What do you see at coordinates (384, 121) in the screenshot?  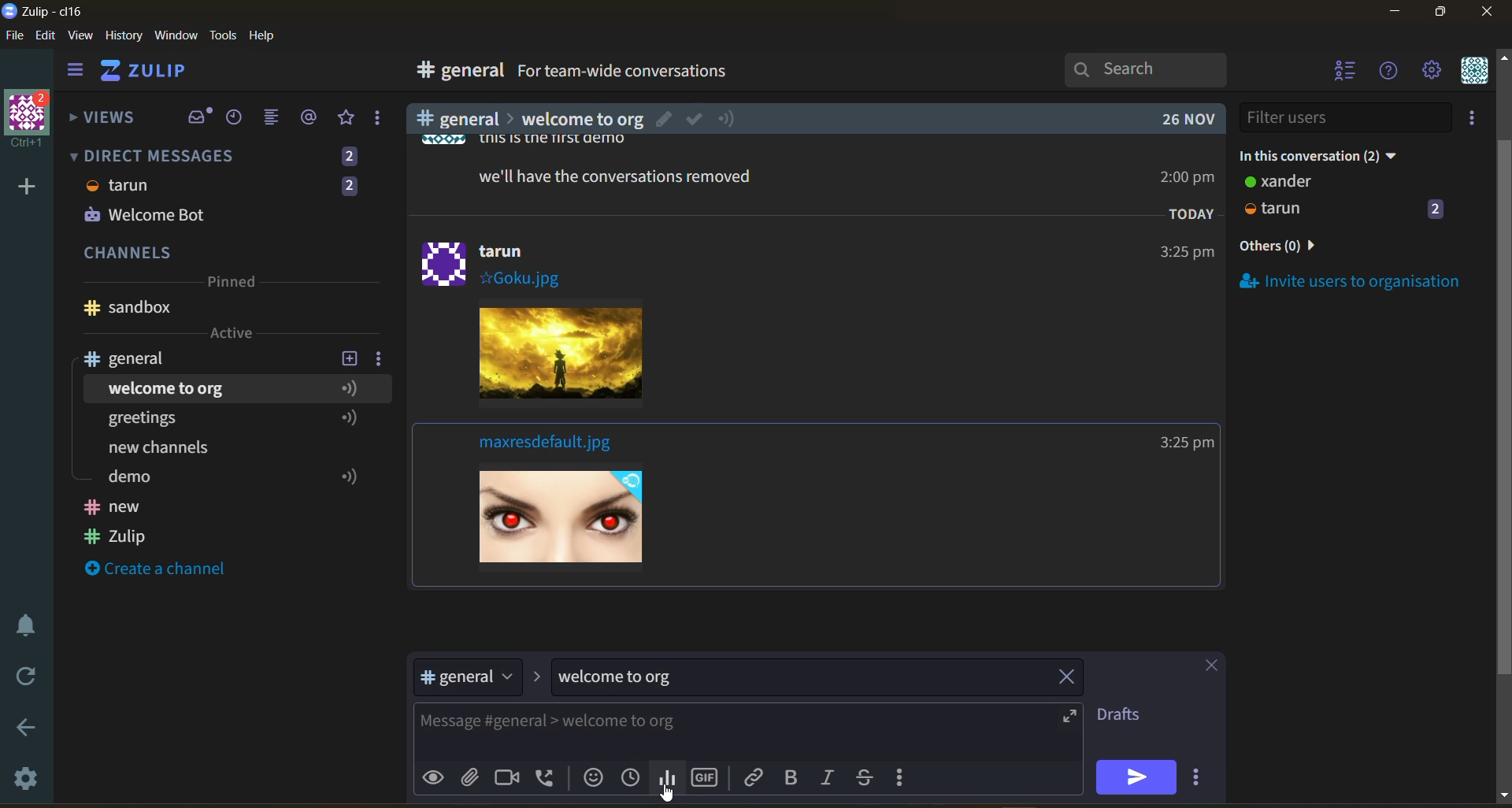 I see `reactions and drafts` at bounding box center [384, 121].